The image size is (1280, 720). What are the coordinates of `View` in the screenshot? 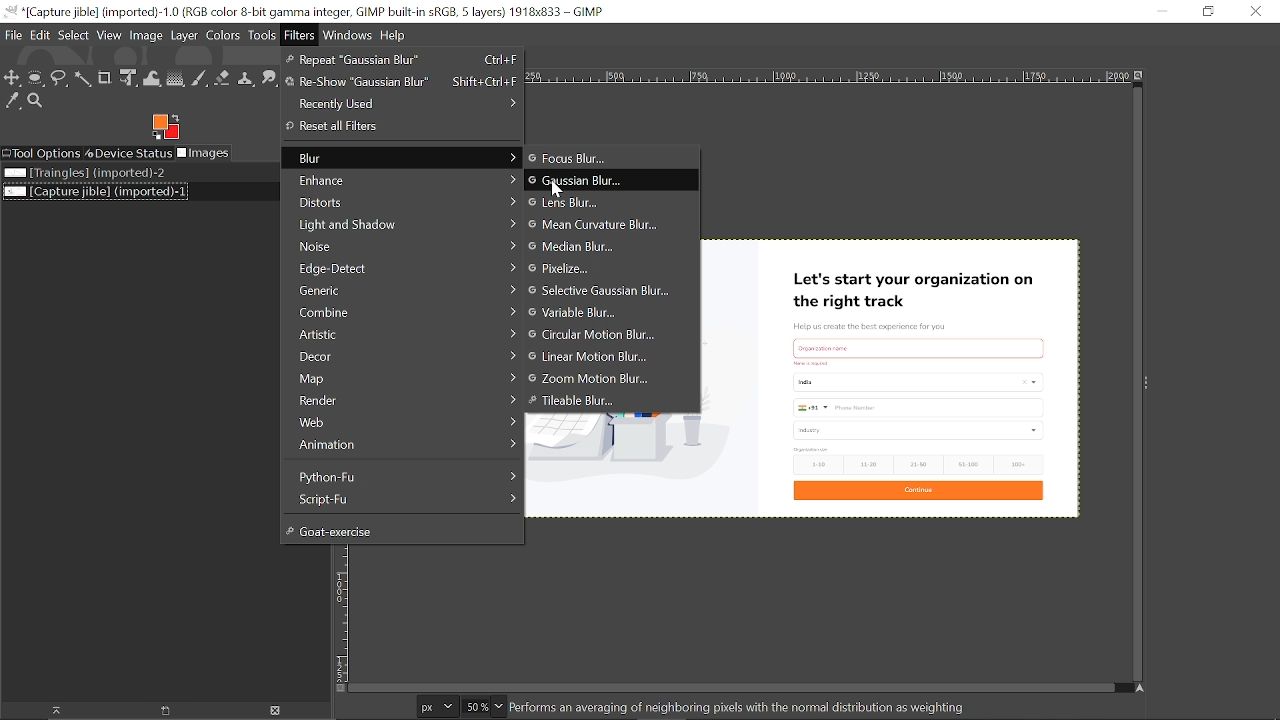 It's located at (110, 36).